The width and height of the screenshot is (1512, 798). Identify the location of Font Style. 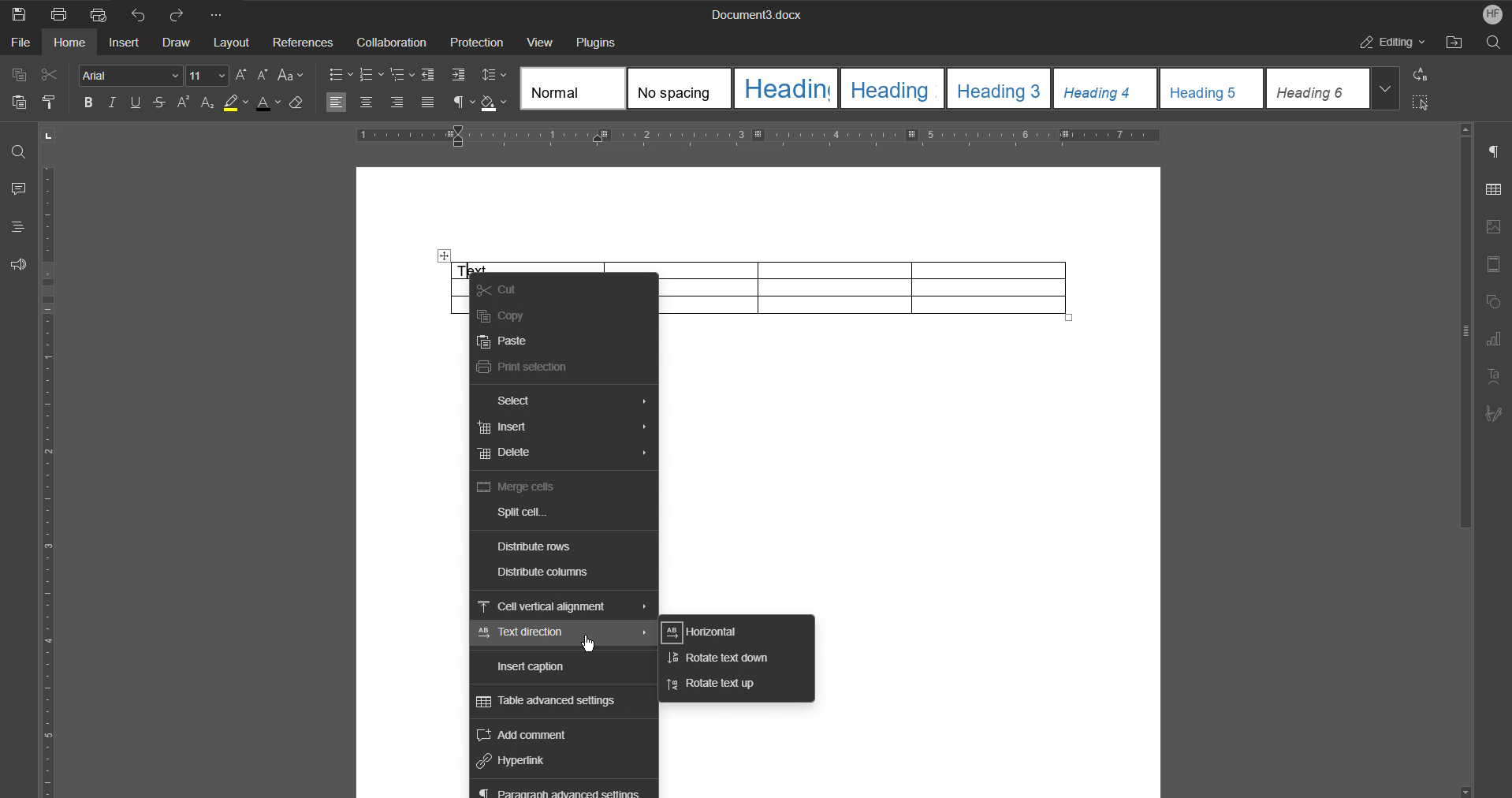
(132, 76).